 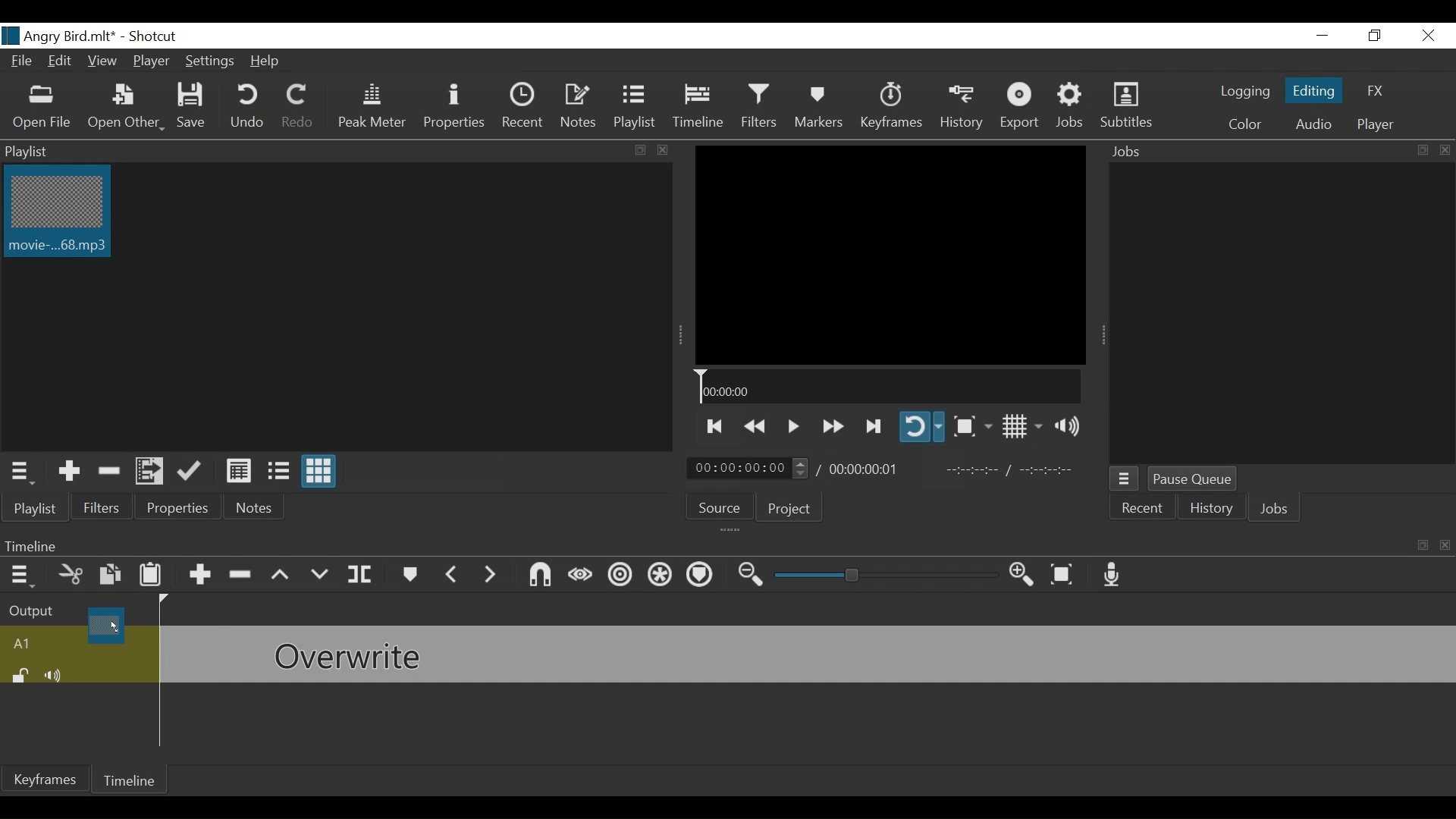 I want to click on Zoom timeline in, so click(x=1025, y=575).